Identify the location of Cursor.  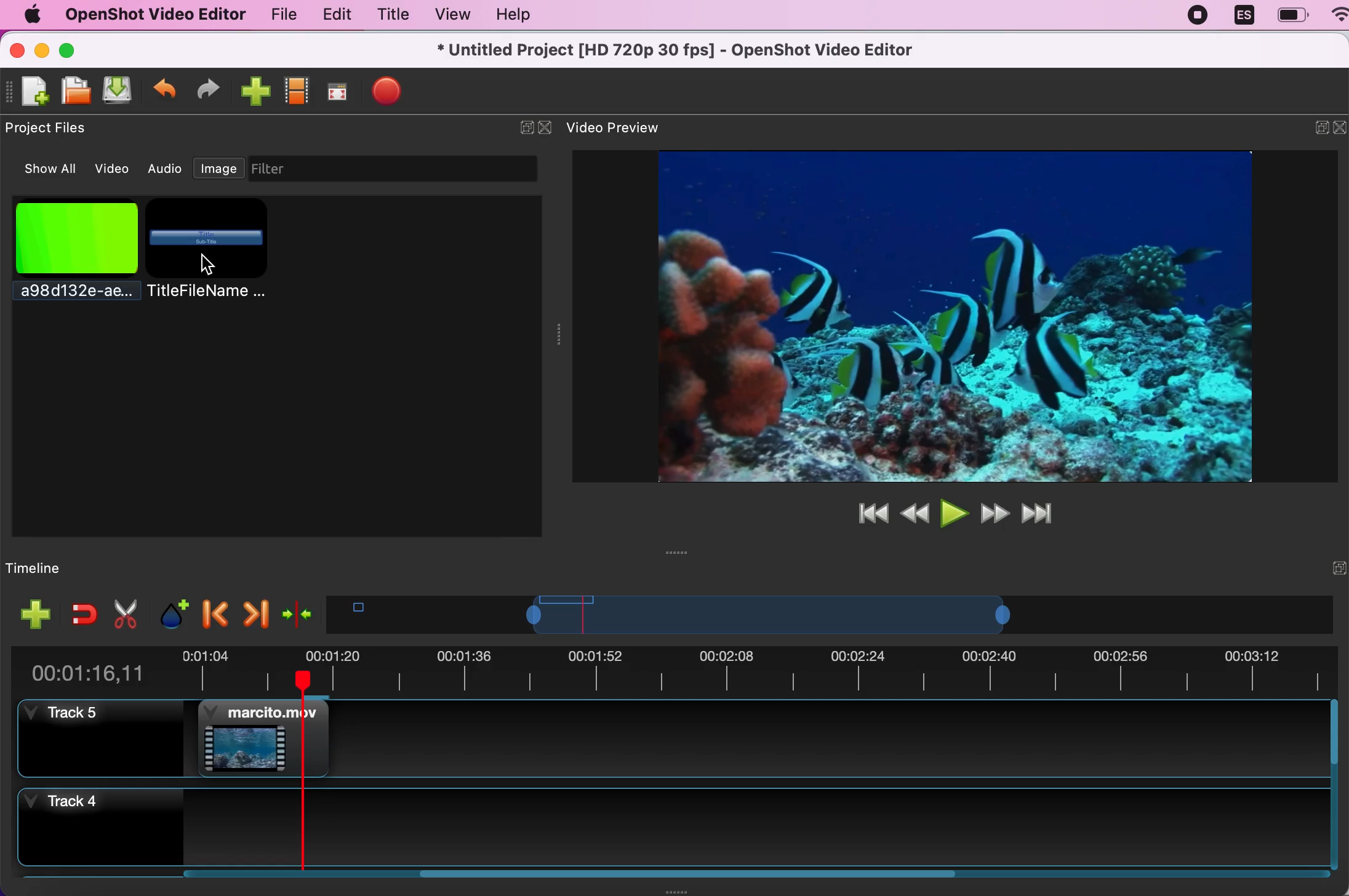
(206, 265).